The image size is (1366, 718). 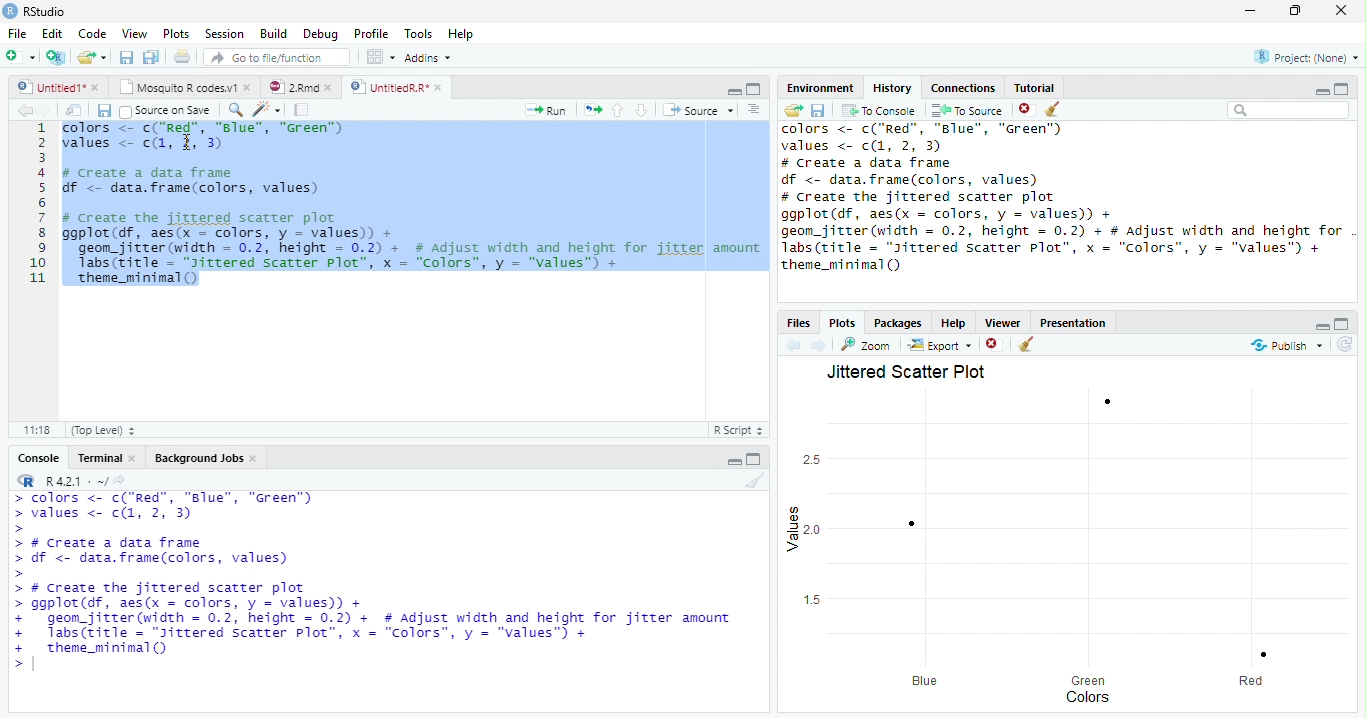 I want to click on Viewer, so click(x=1004, y=323).